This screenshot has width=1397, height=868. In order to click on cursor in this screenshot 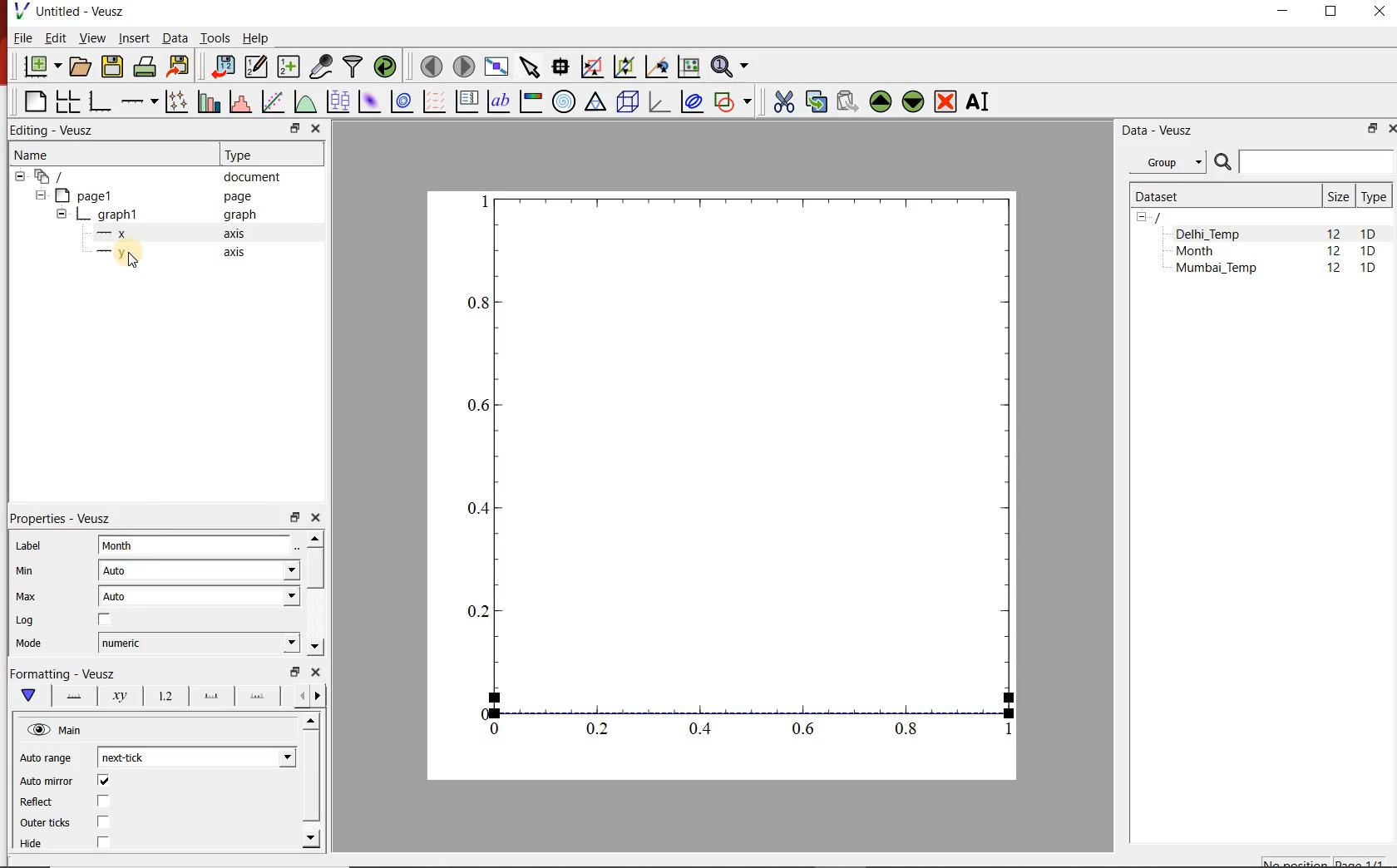, I will do `click(131, 261)`.